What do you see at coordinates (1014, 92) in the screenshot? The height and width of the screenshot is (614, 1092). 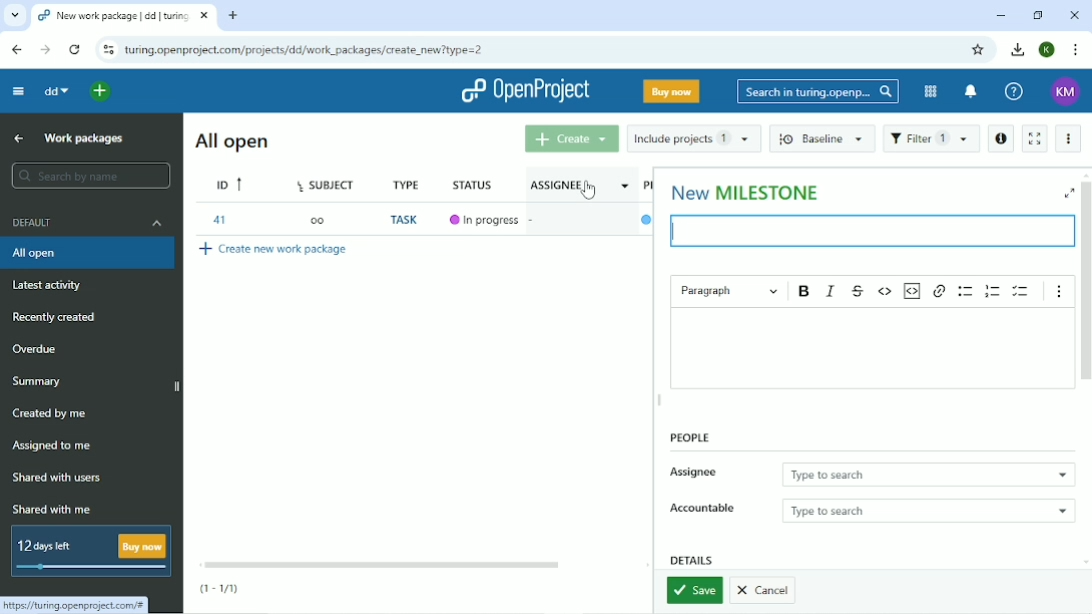 I see `Help` at bounding box center [1014, 92].